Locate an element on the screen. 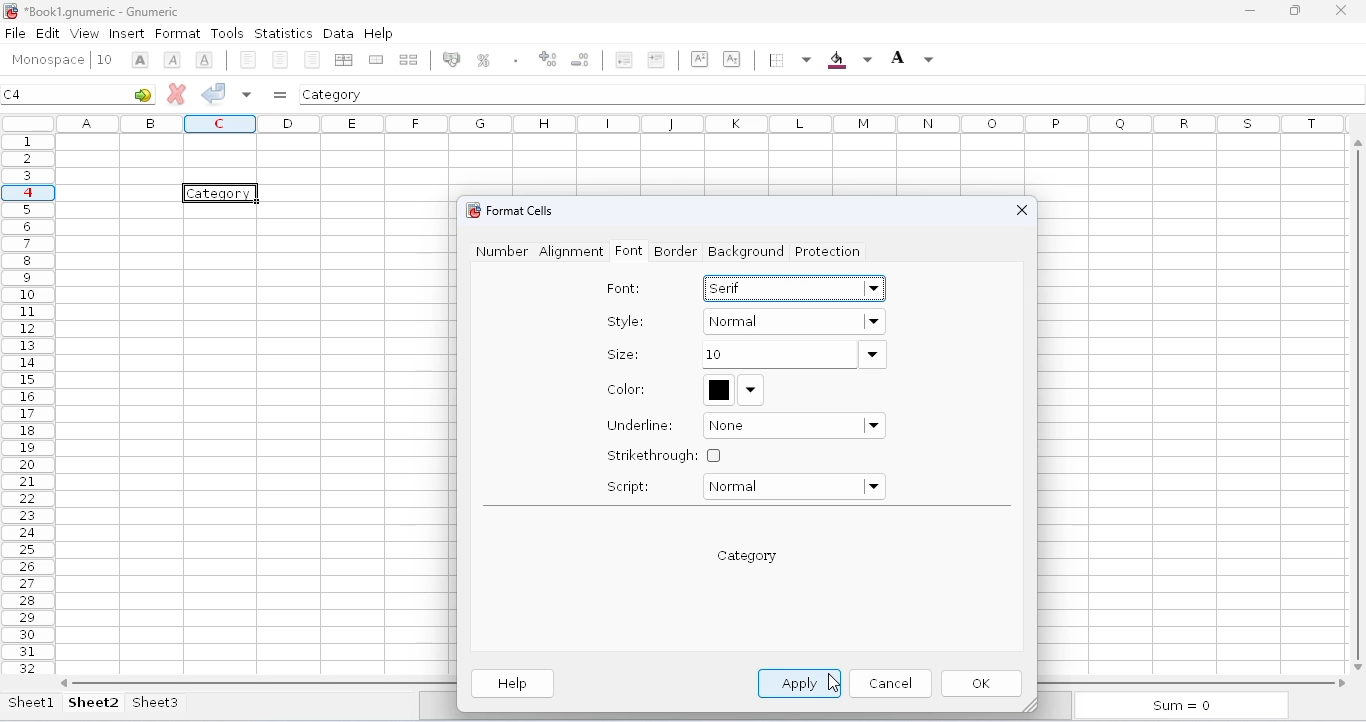  close is located at coordinates (1344, 10).